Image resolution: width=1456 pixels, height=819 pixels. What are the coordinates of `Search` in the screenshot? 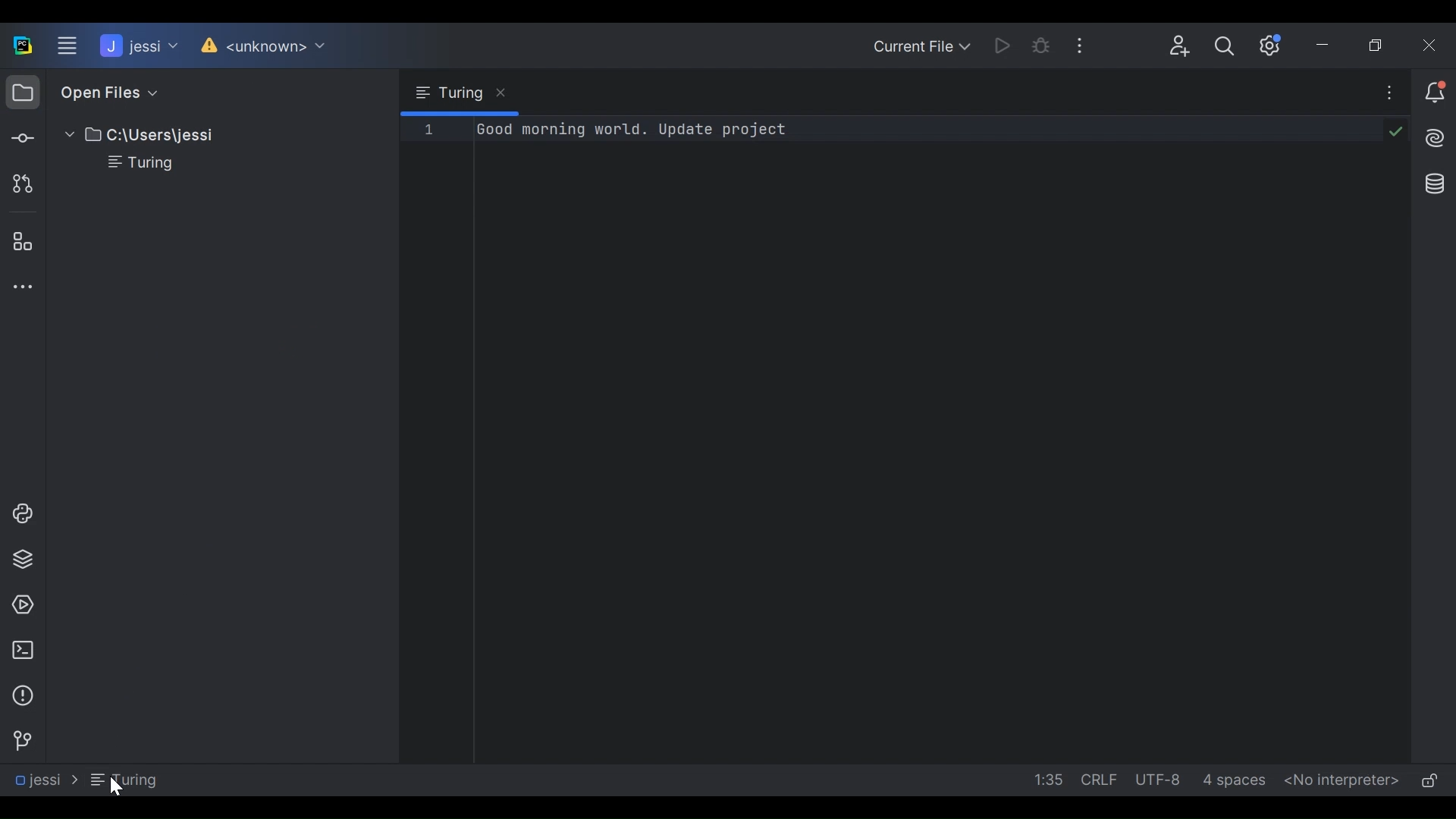 It's located at (1225, 45).